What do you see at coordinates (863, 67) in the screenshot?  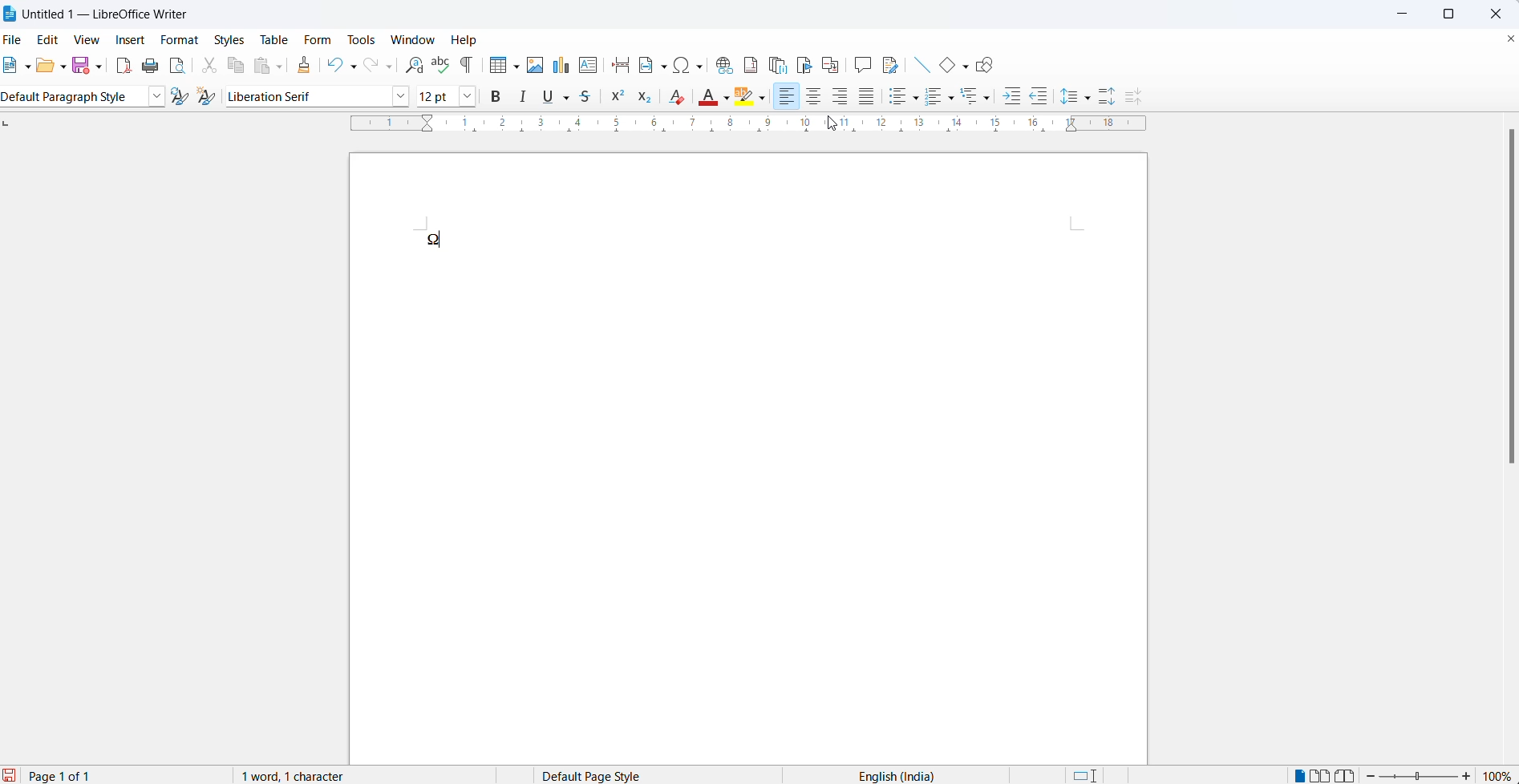 I see `insert comments` at bounding box center [863, 67].